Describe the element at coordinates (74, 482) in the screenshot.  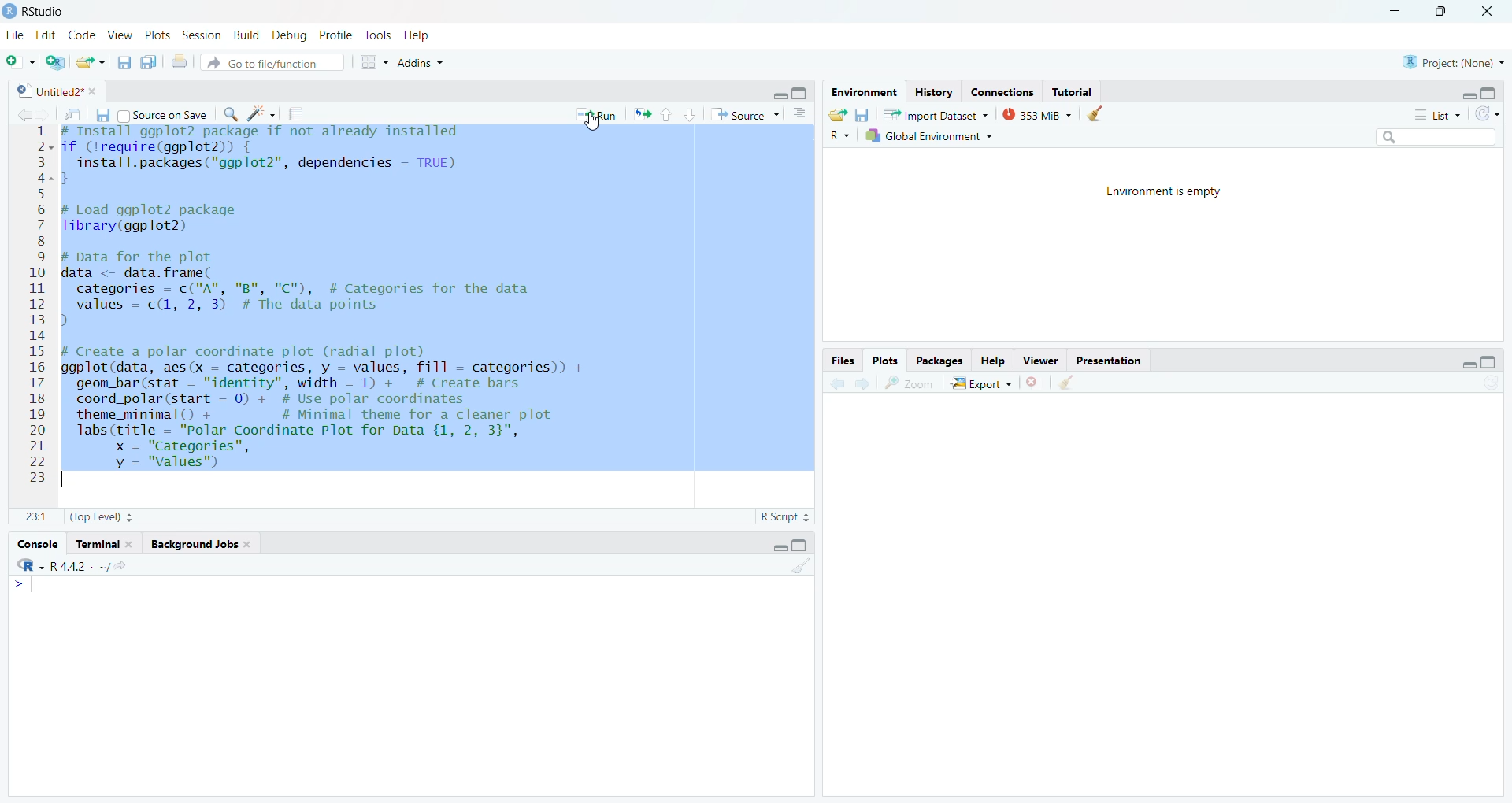
I see `Typing cursor` at that location.